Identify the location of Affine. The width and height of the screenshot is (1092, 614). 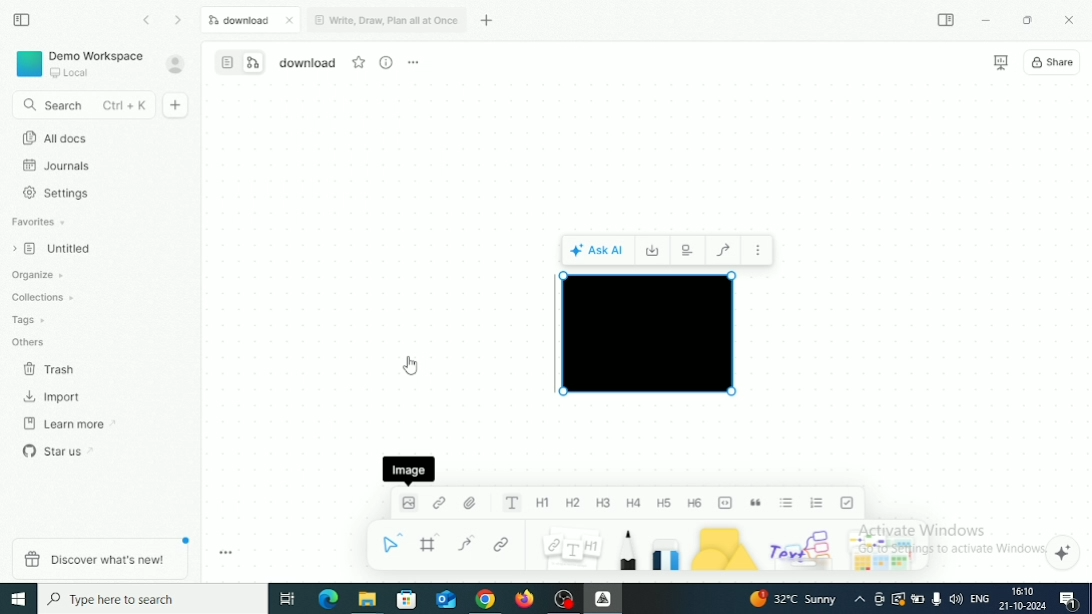
(603, 598).